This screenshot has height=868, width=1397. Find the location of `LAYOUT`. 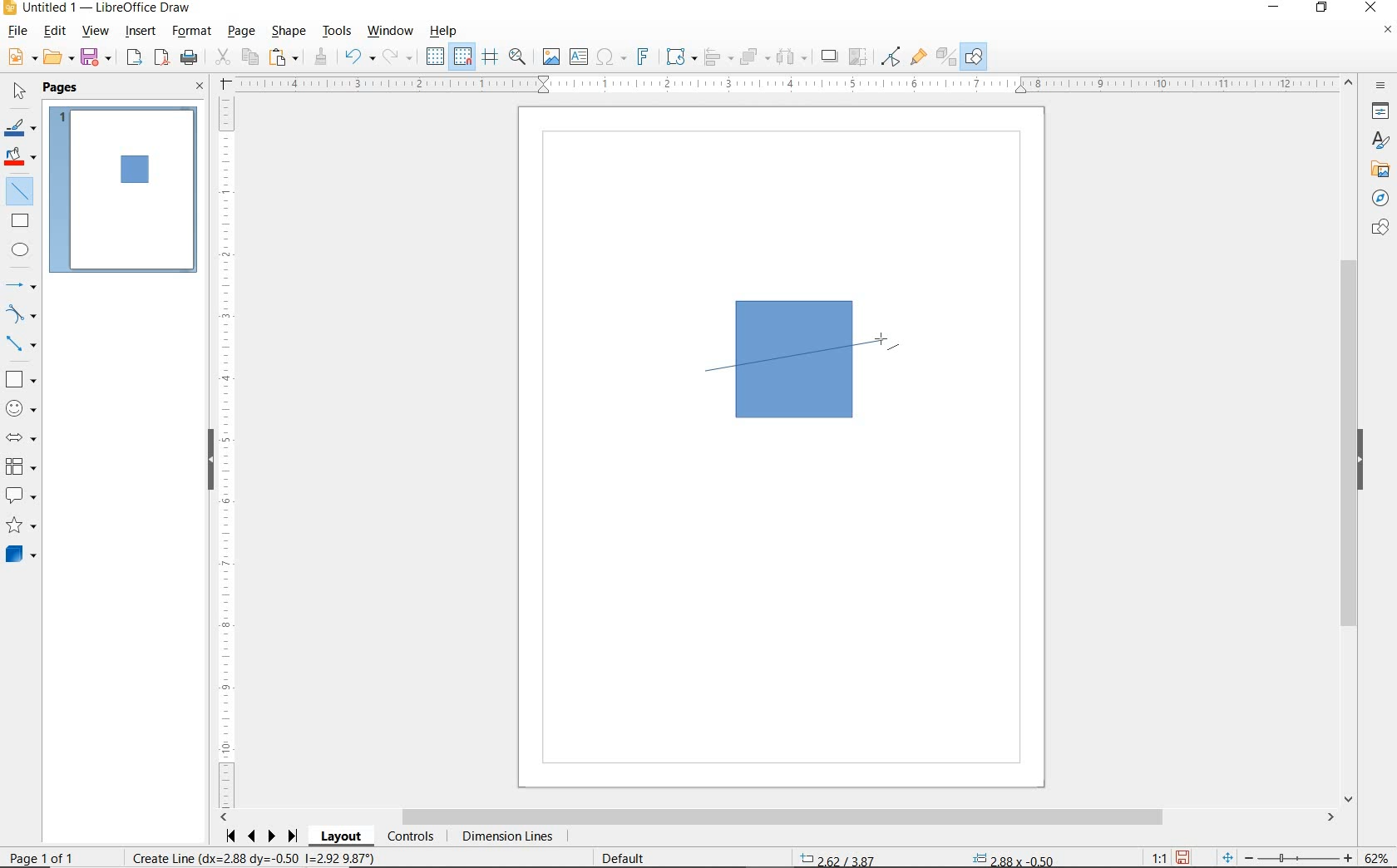

LAYOUT is located at coordinates (343, 836).